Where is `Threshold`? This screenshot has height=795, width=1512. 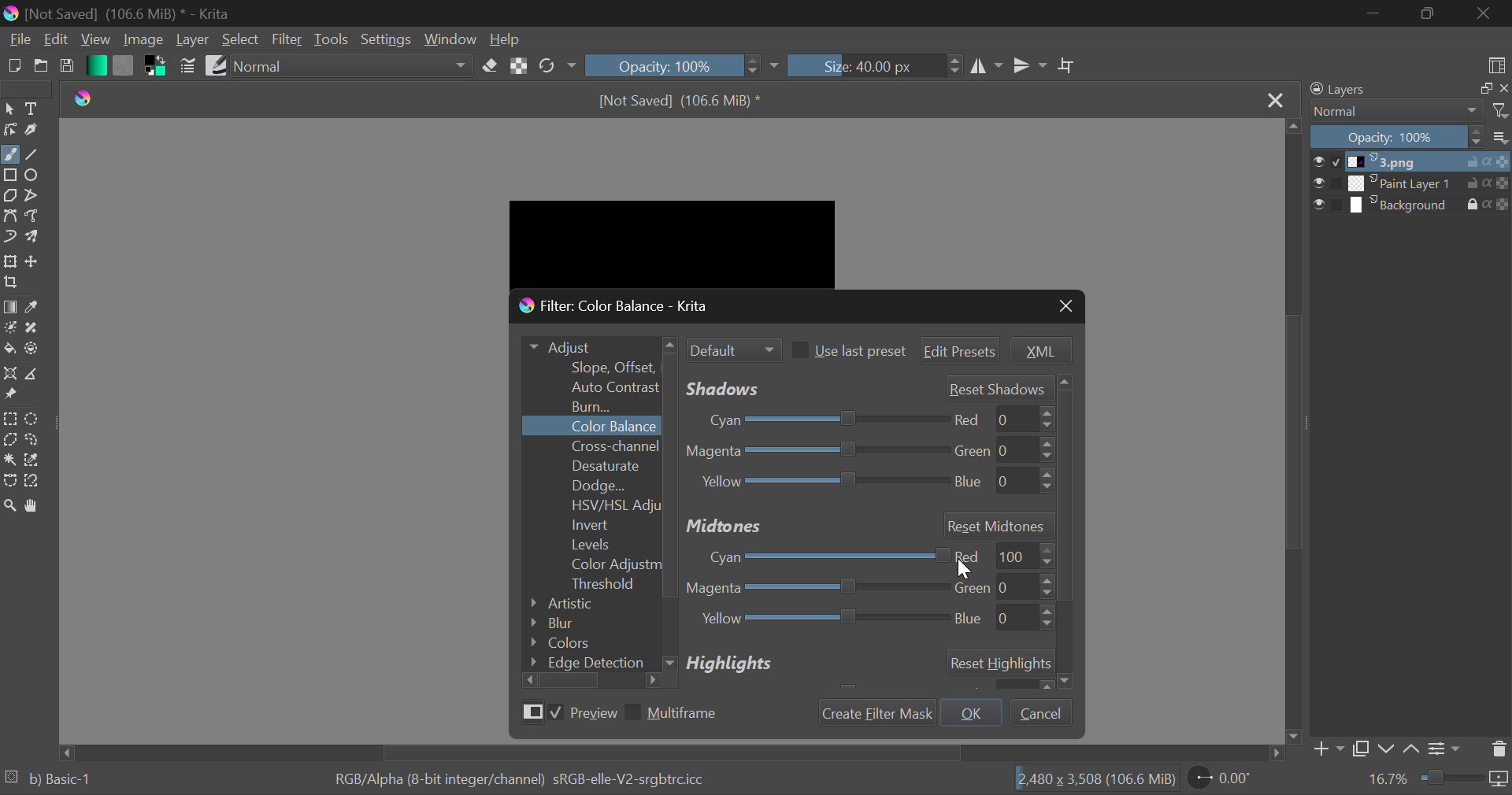 Threshold is located at coordinates (593, 584).